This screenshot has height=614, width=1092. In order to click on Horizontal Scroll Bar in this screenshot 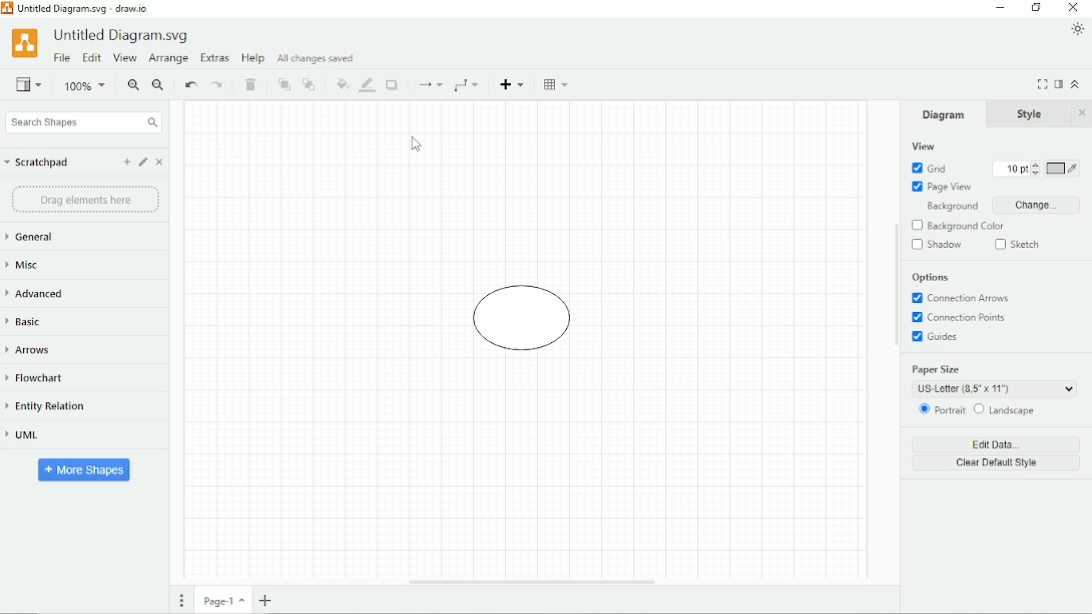, I will do `click(530, 582)`.